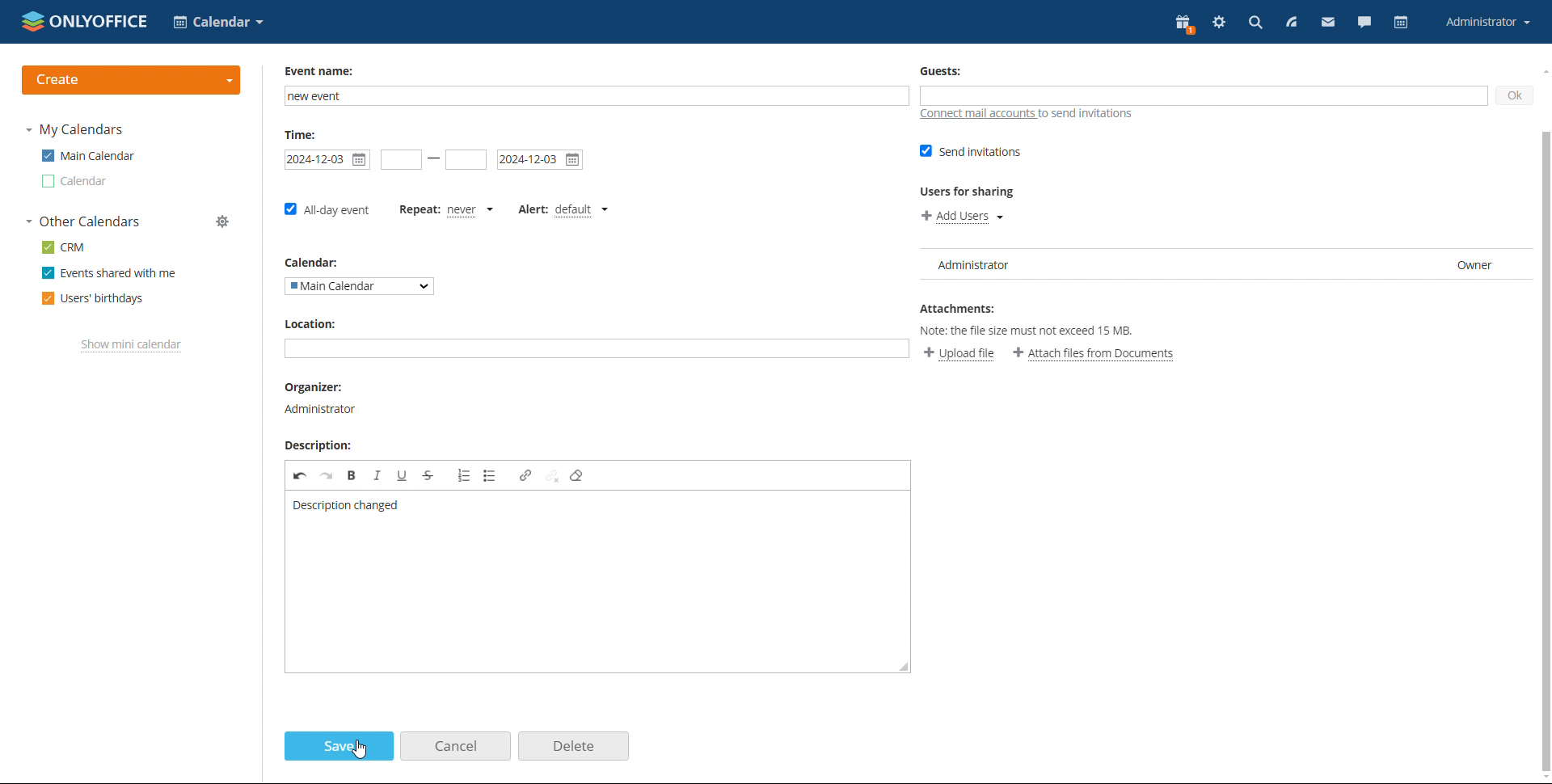  Describe the element at coordinates (464, 477) in the screenshot. I see `insert/remove numbered list` at that location.